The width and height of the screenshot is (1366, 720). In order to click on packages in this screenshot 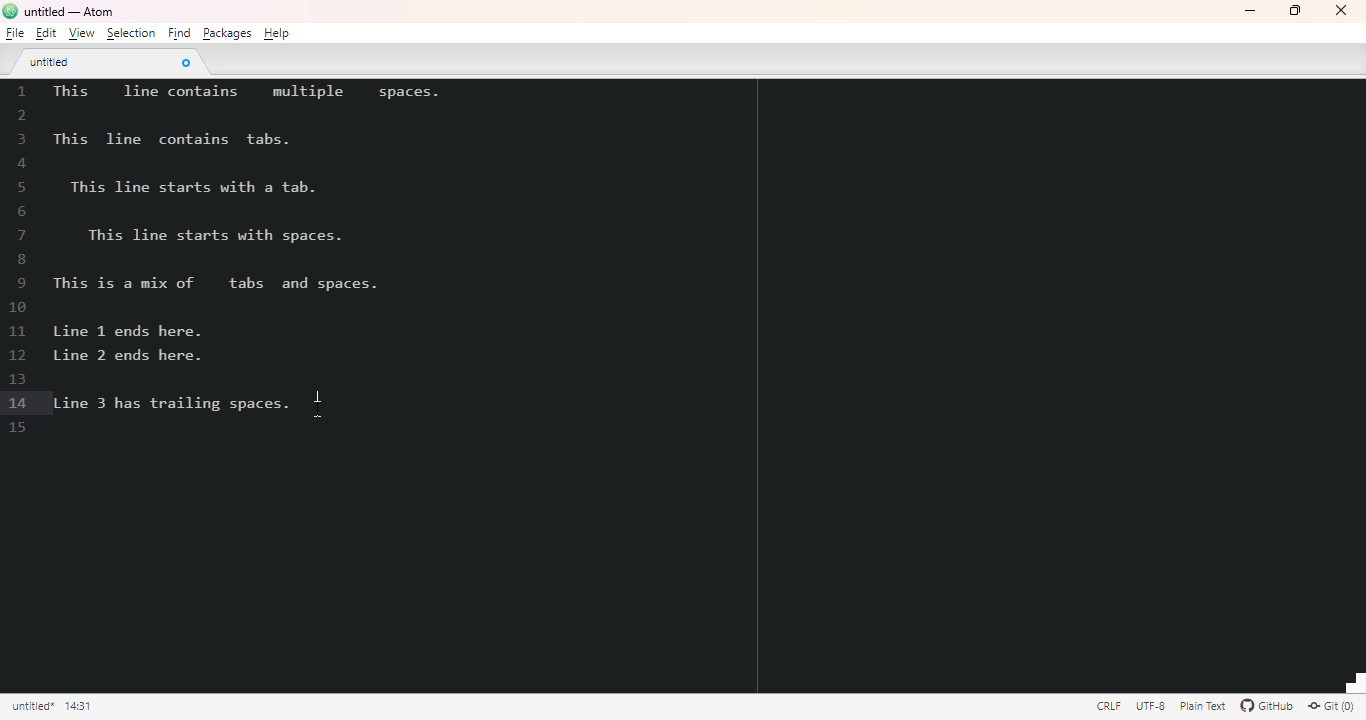, I will do `click(226, 33)`.